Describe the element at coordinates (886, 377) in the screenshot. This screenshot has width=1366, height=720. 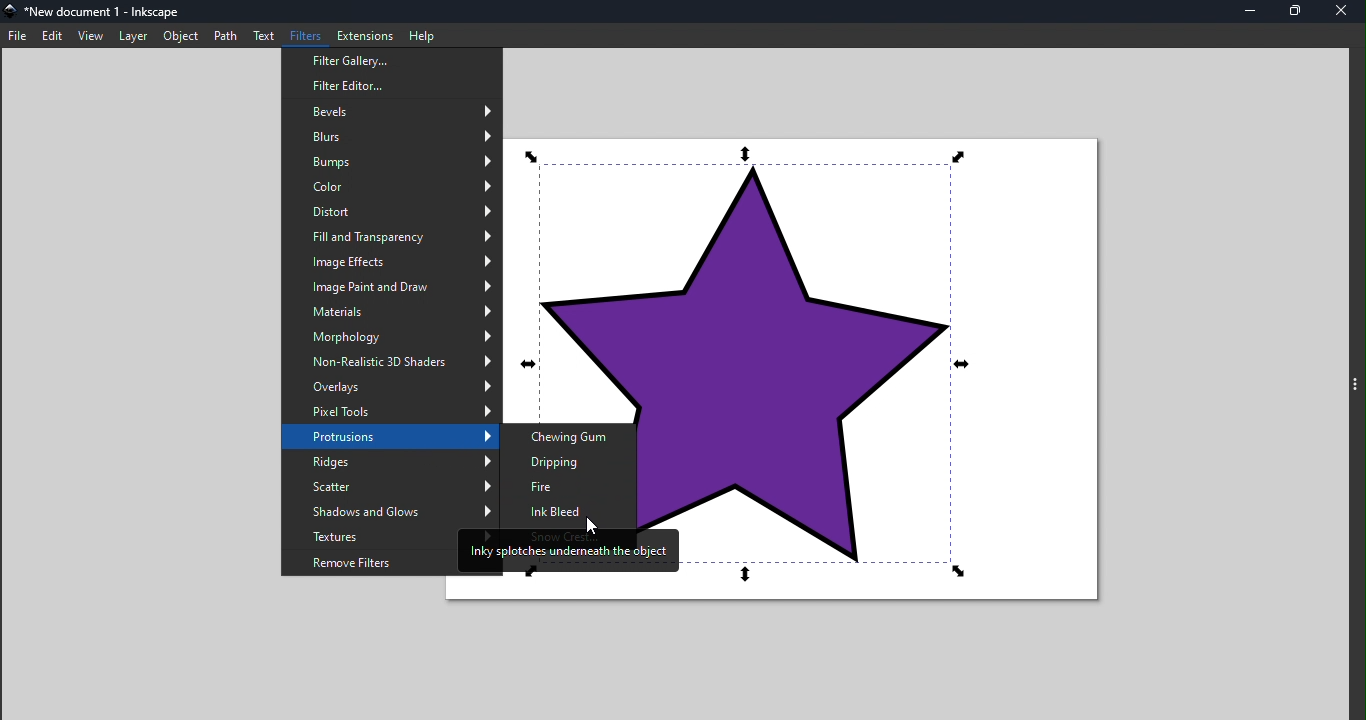
I see `Canvas` at that location.